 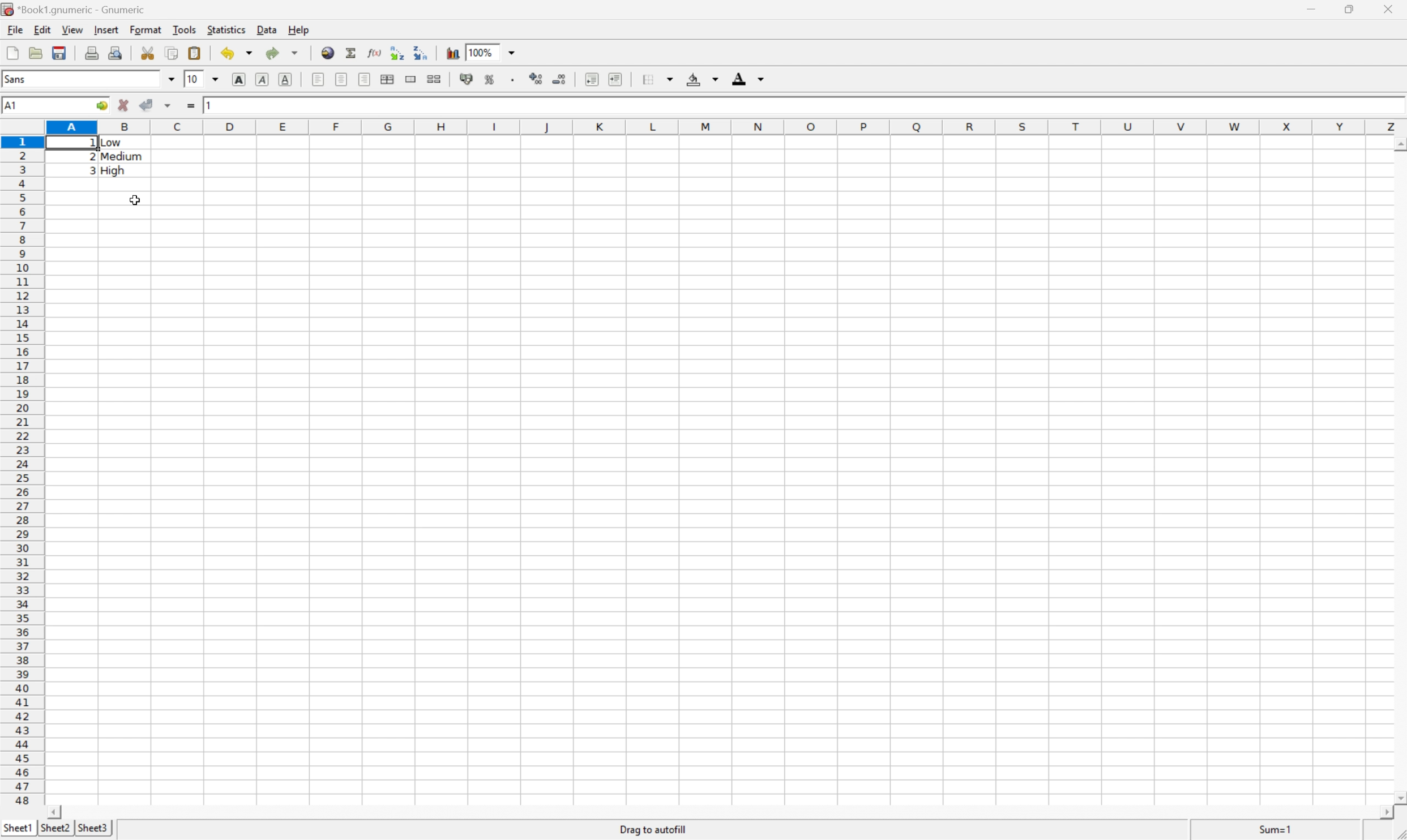 I want to click on Center horizontally across the selection, so click(x=386, y=78).